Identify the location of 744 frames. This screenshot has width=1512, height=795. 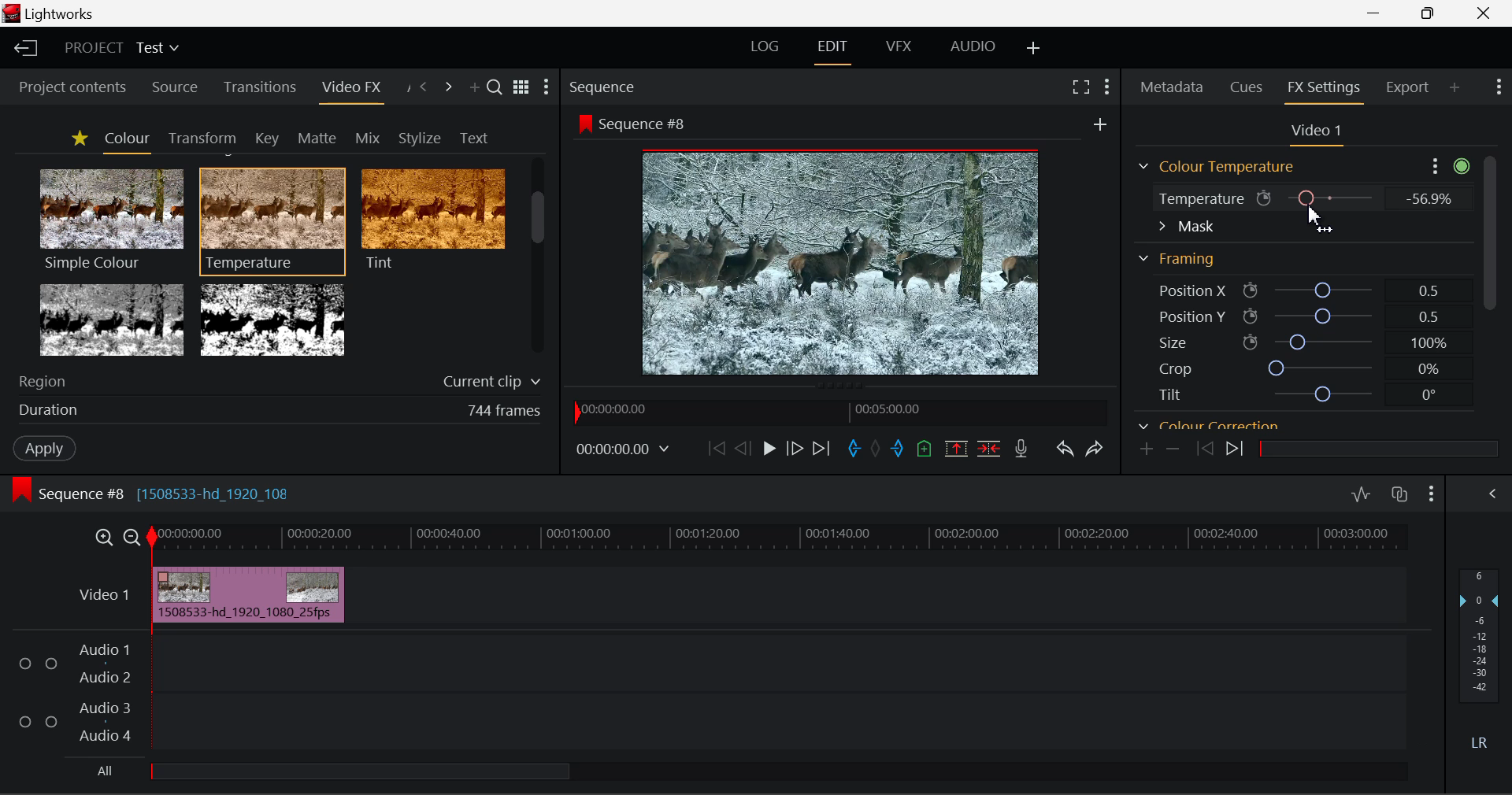
(504, 411).